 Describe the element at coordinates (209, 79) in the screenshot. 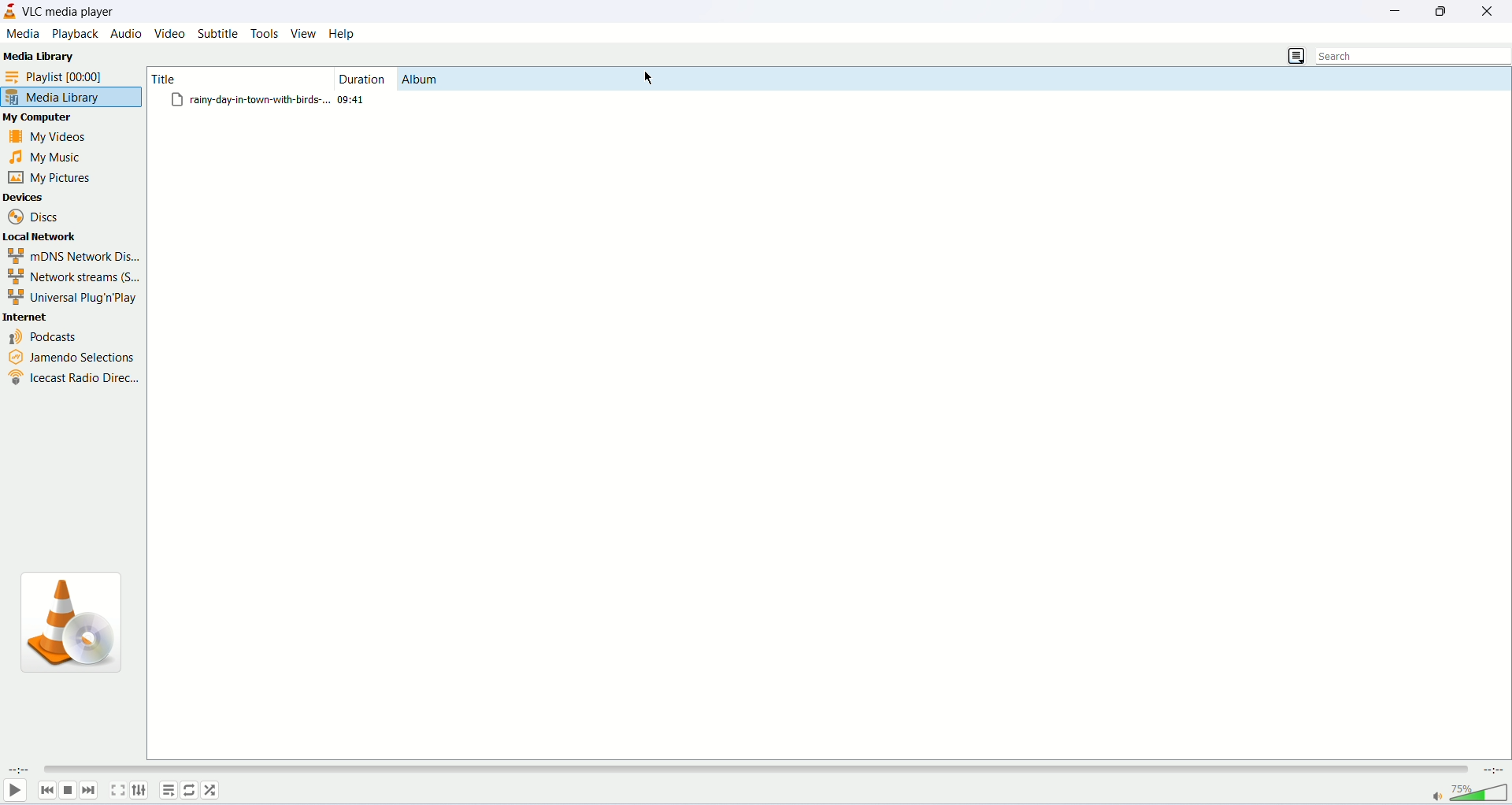

I see `title` at that location.